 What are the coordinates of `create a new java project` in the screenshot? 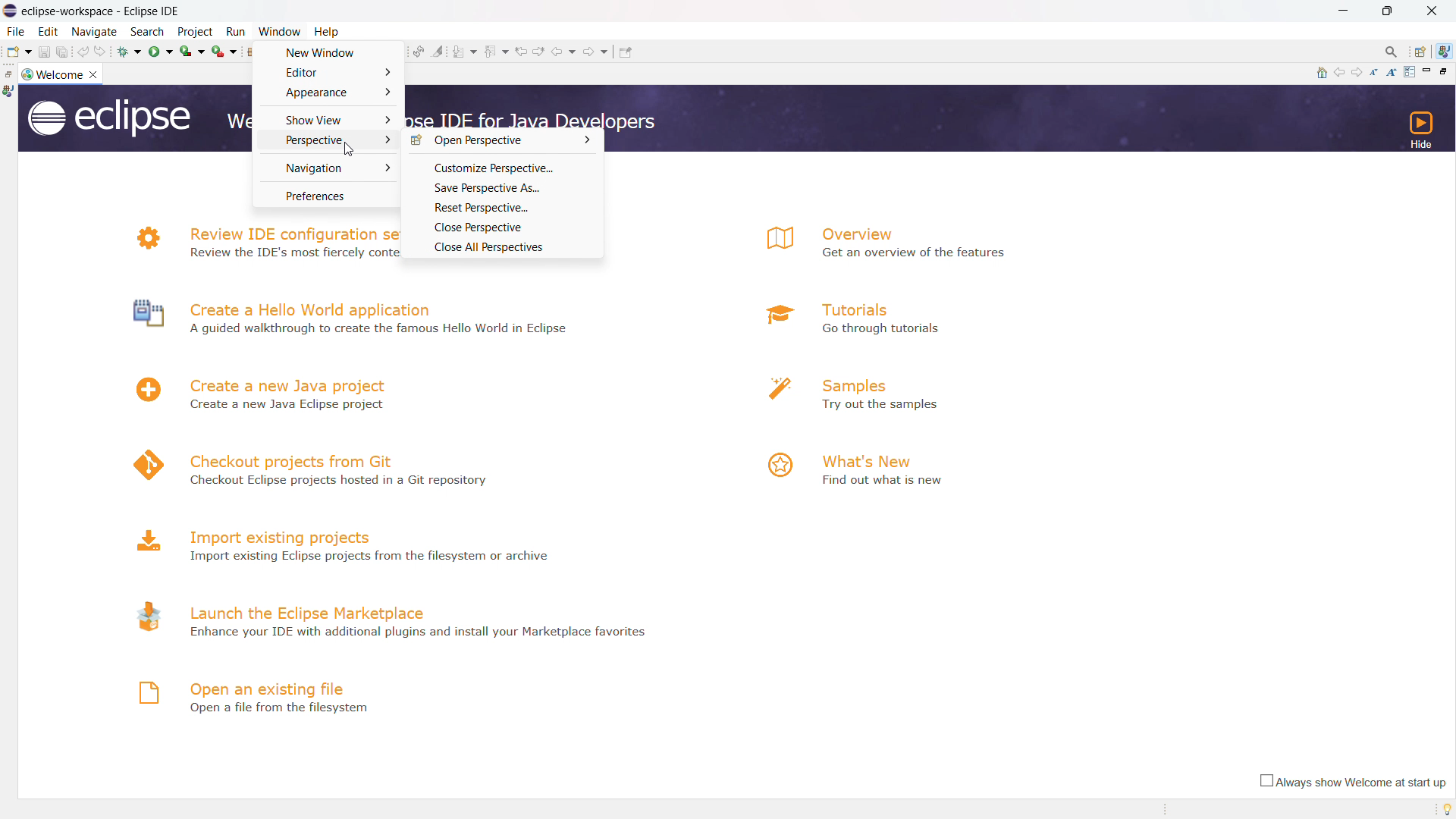 It's located at (290, 384).